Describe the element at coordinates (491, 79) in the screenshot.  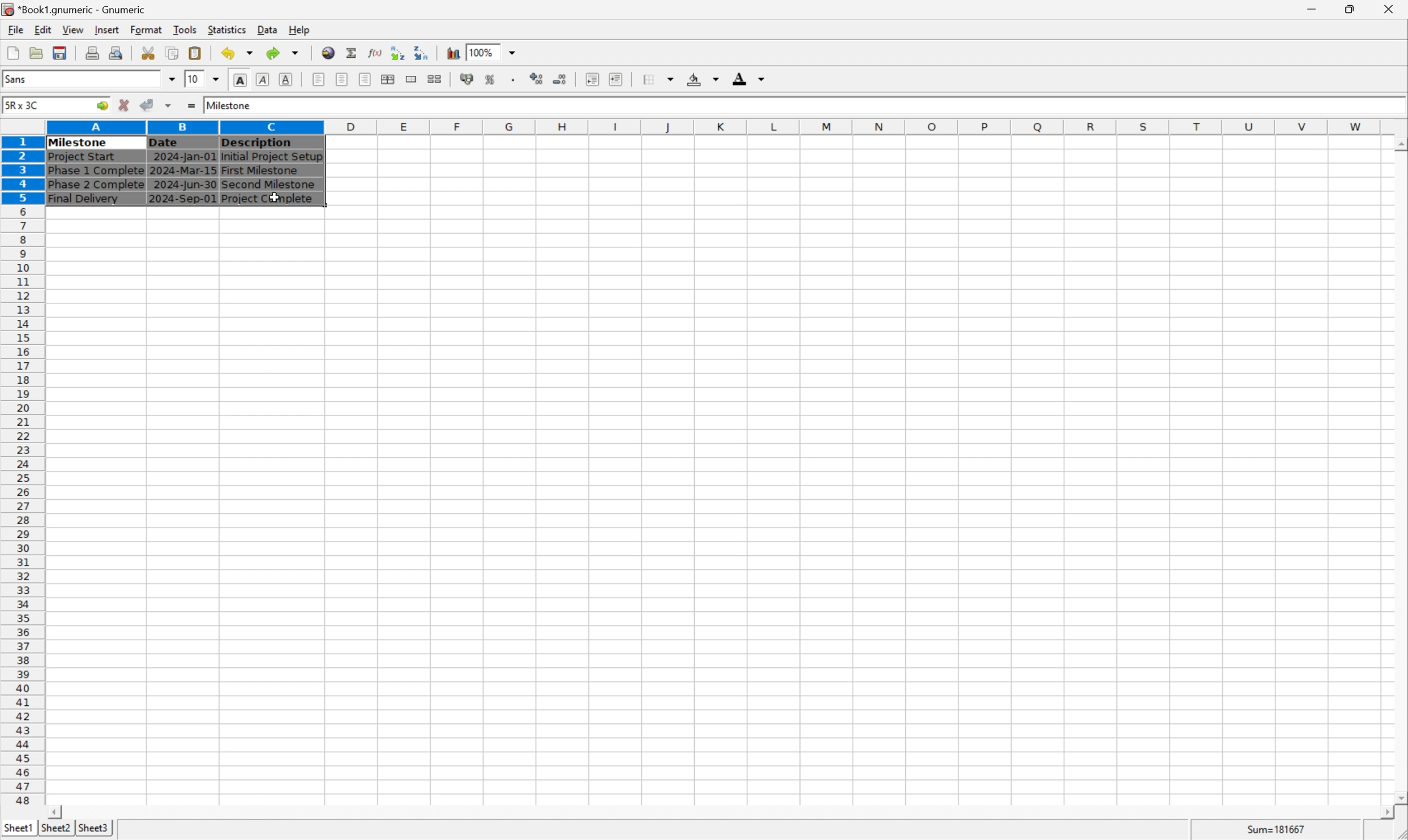
I see `format selection as percentage` at that location.